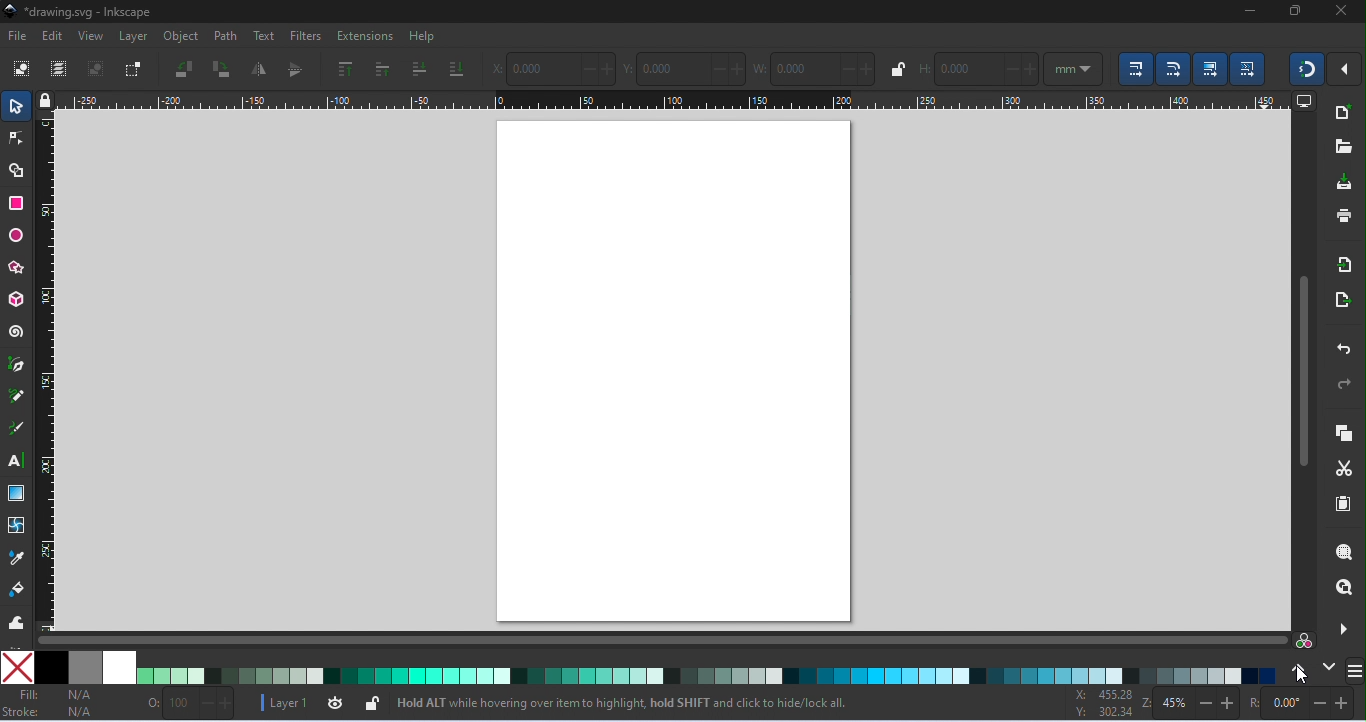 Image resolution: width=1366 pixels, height=722 pixels. What do you see at coordinates (1340, 298) in the screenshot?
I see `export` at bounding box center [1340, 298].